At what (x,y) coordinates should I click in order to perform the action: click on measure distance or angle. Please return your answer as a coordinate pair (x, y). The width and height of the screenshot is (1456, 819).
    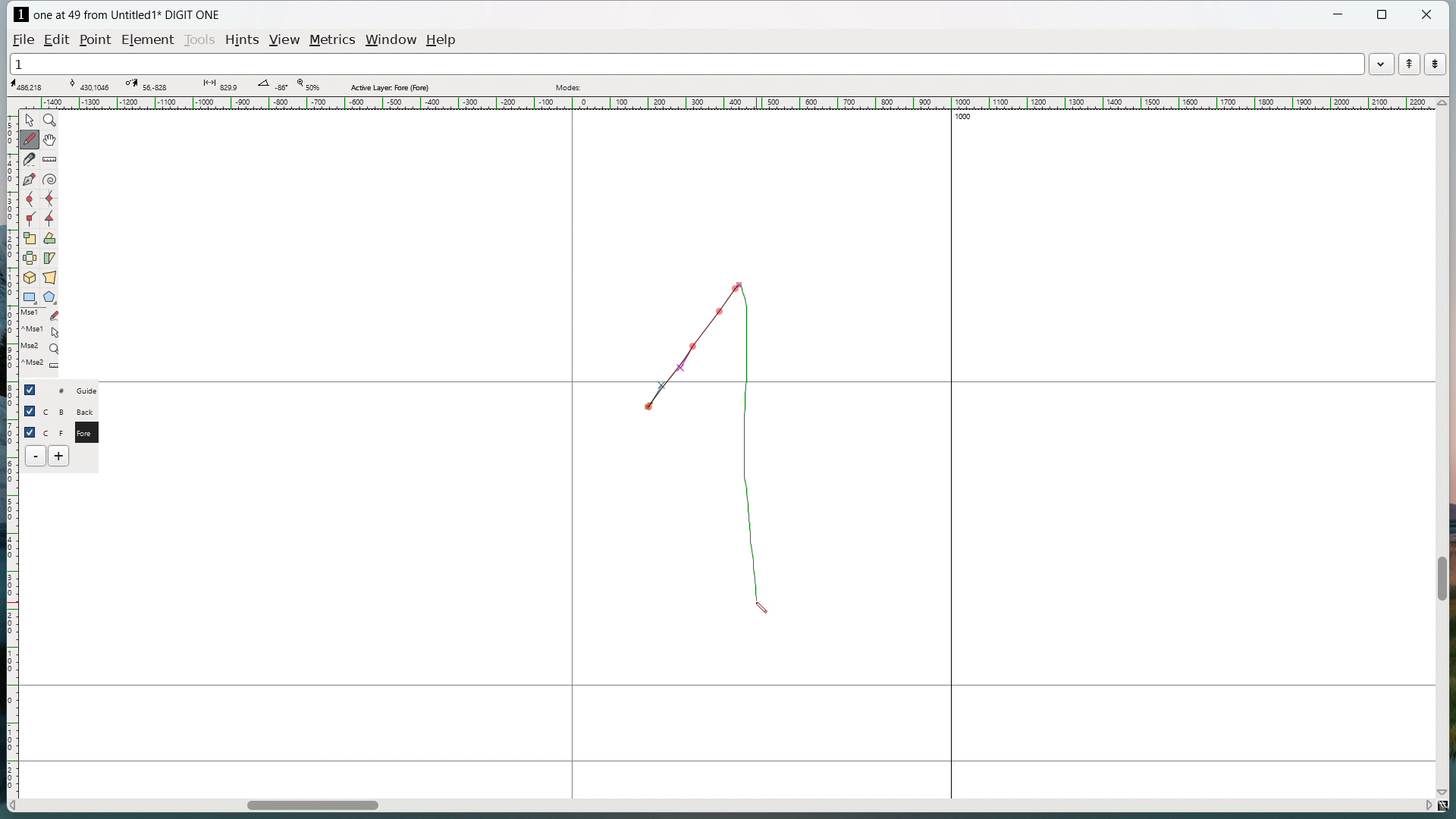
    Looking at the image, I should click on (51, 158).